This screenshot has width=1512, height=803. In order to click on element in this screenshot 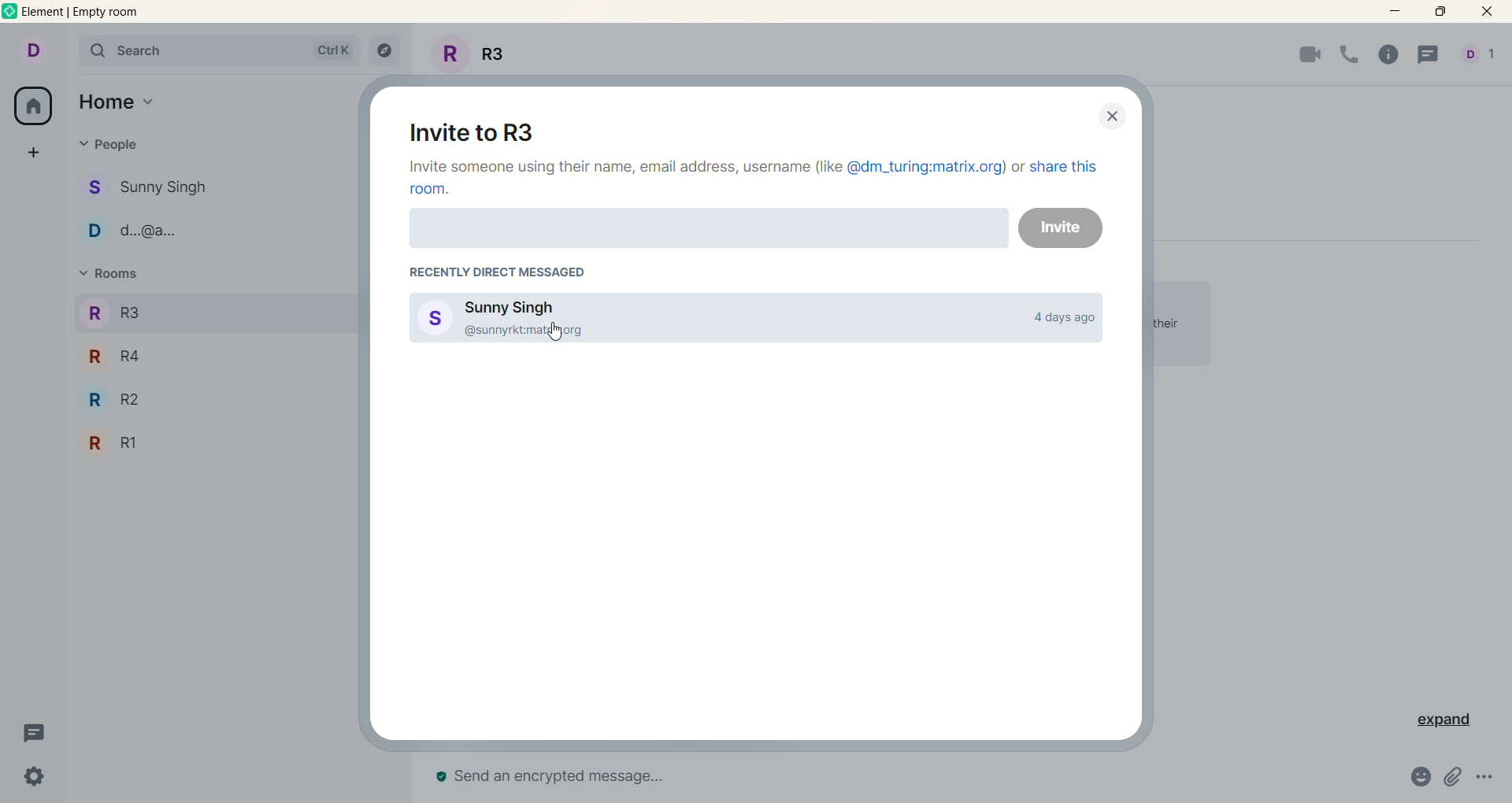, I will do `click(83, 12)`.